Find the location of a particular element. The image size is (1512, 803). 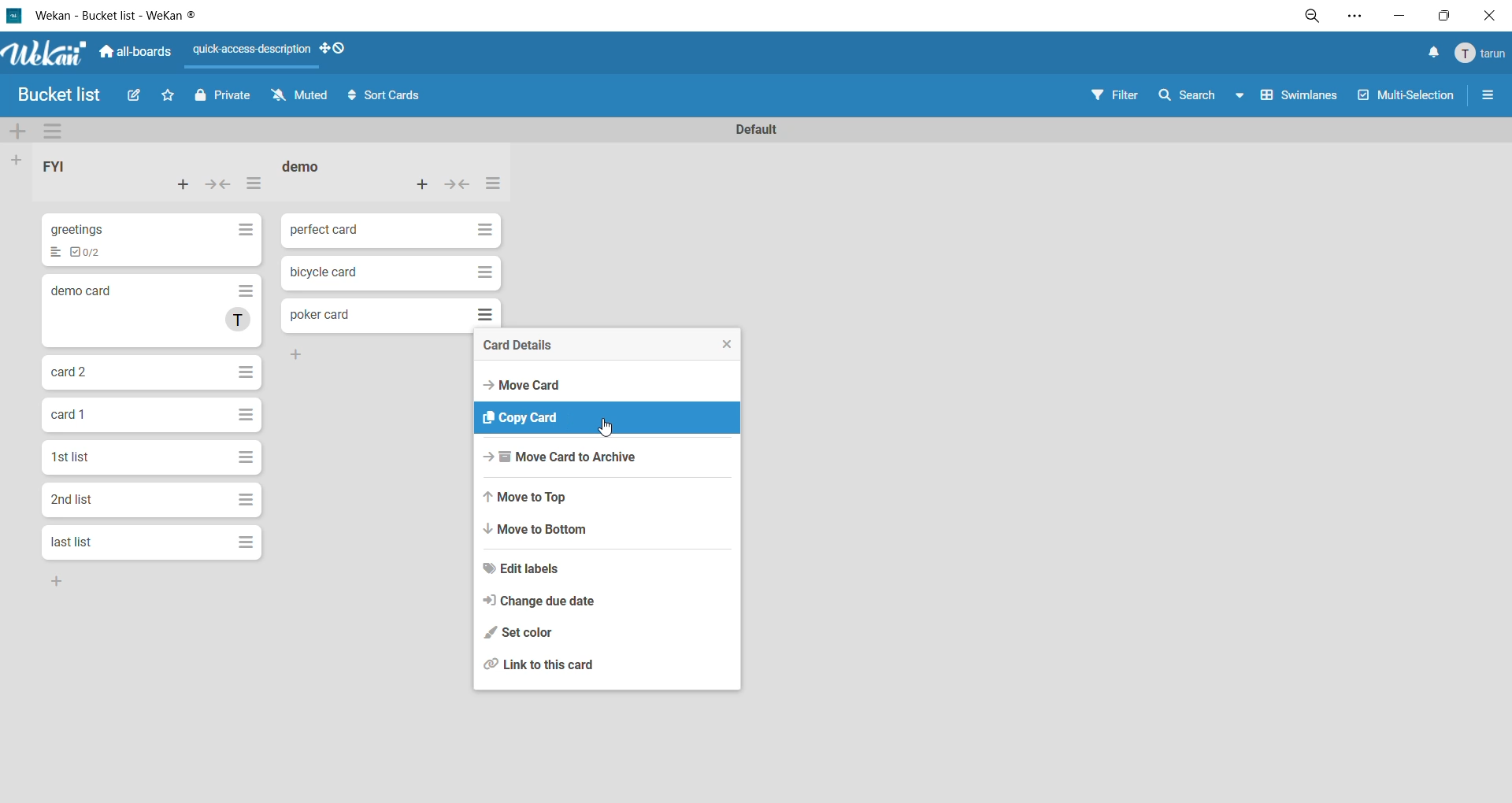

private is located at coordinates (222, 98).